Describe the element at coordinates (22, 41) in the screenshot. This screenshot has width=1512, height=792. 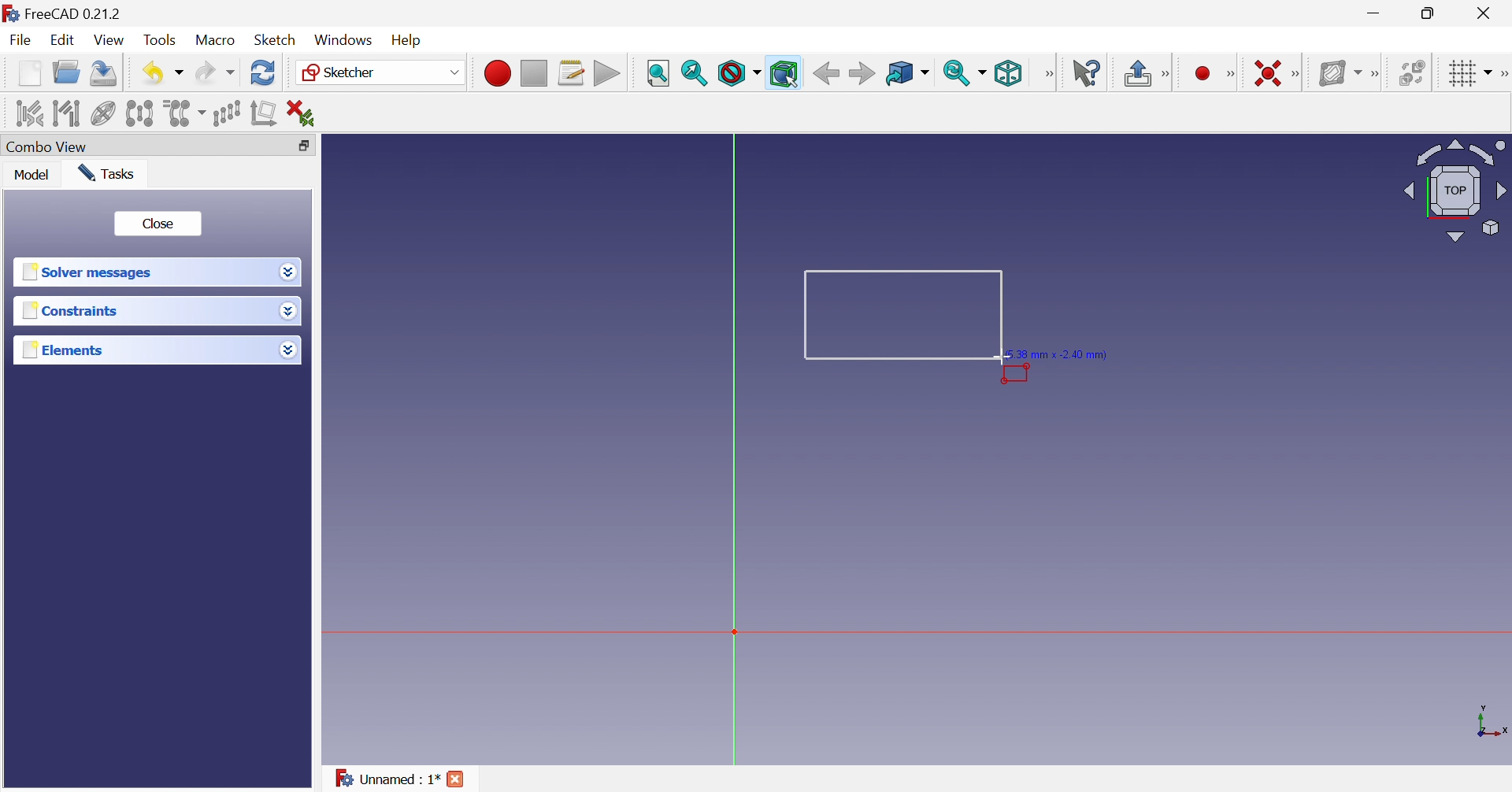
I see `File` at that location.